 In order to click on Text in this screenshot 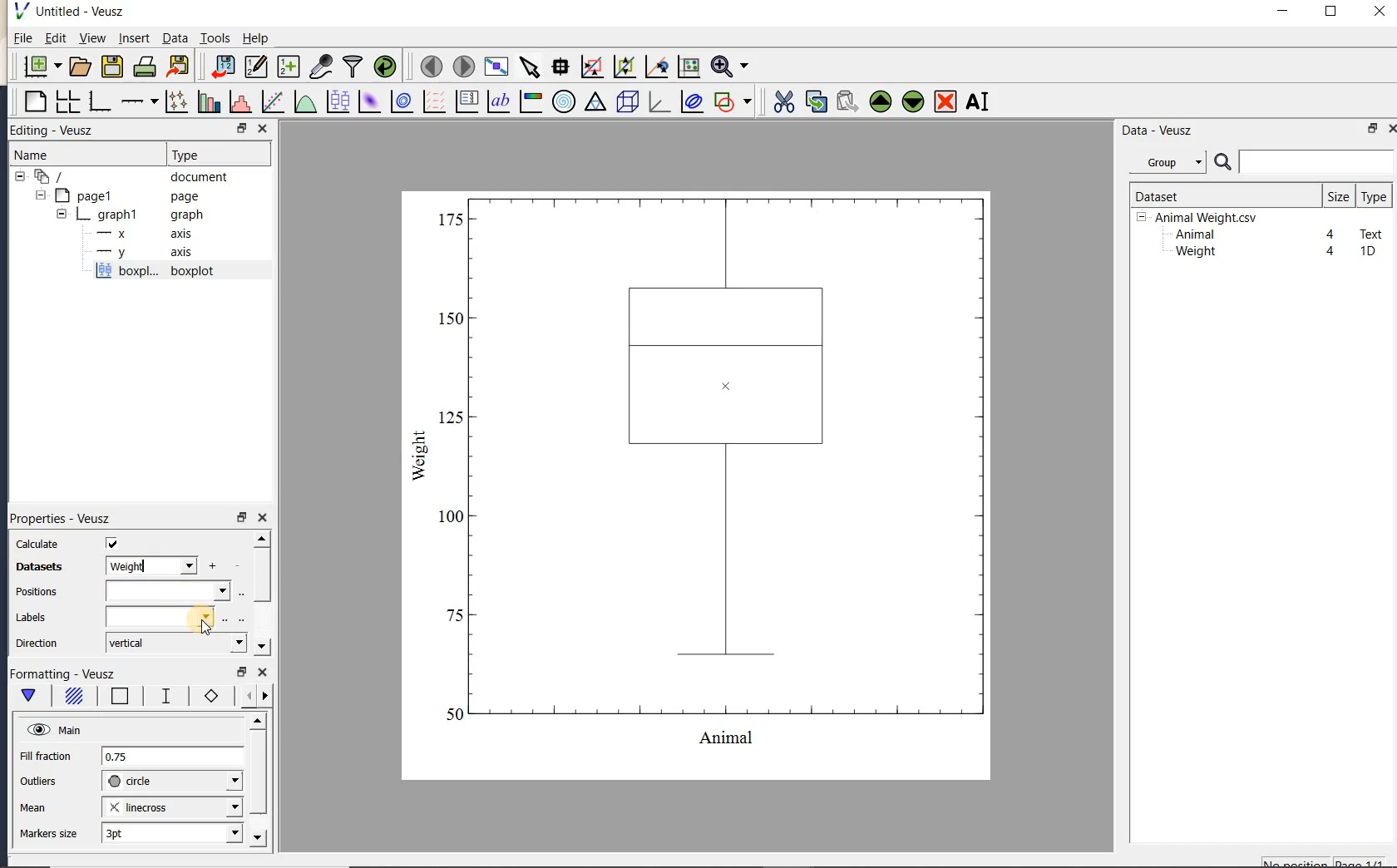, I will do `click(1372, 232)`.